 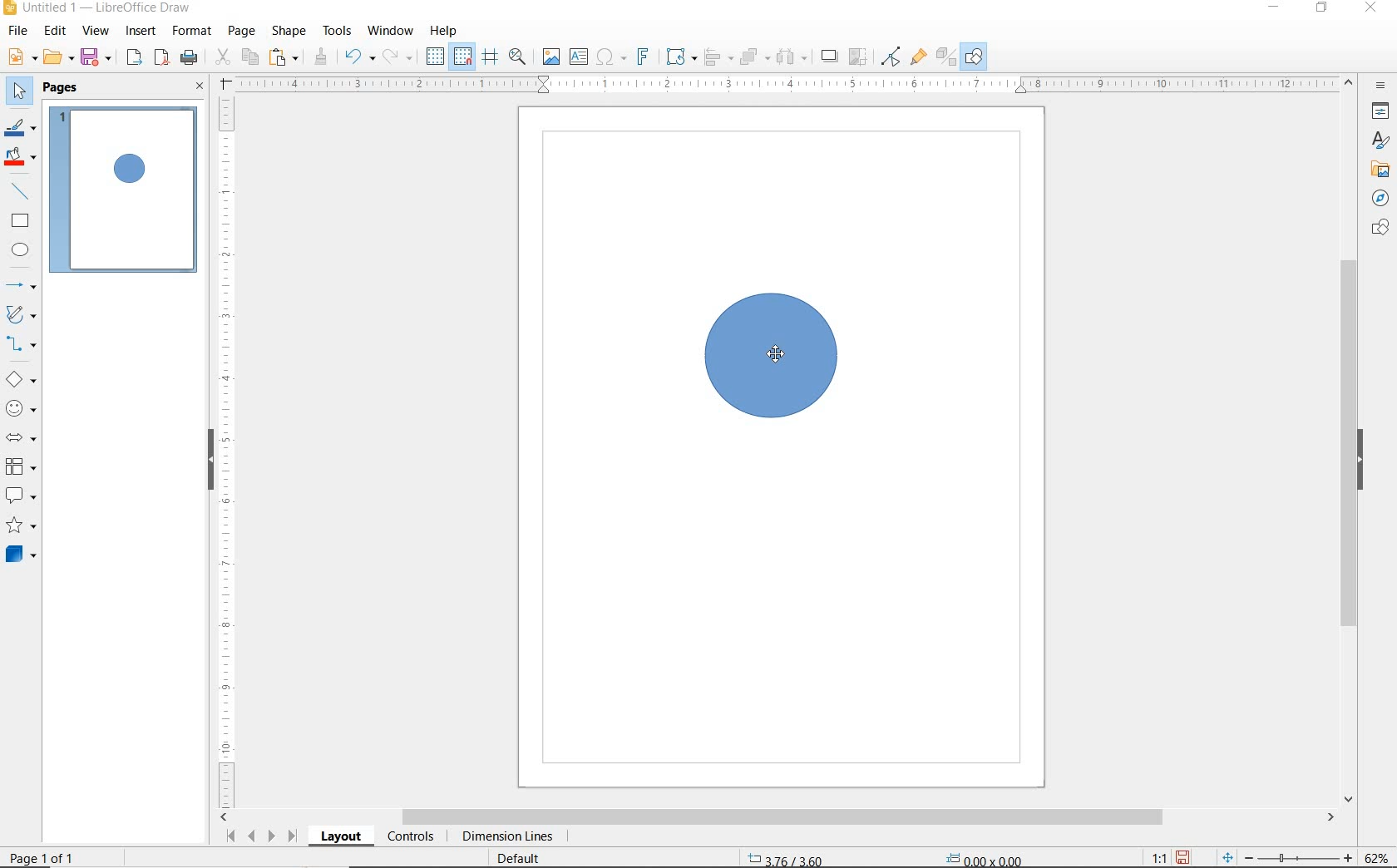 I want to click on First page, so click(x=230, y=839).